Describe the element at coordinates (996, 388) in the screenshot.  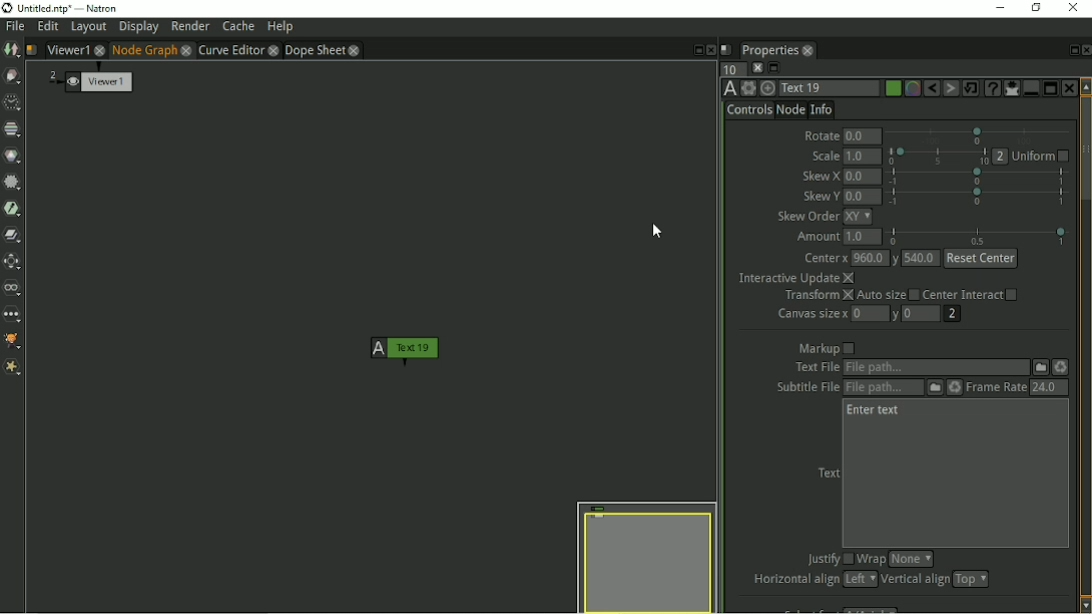
I see `Frame Rate` at that location.